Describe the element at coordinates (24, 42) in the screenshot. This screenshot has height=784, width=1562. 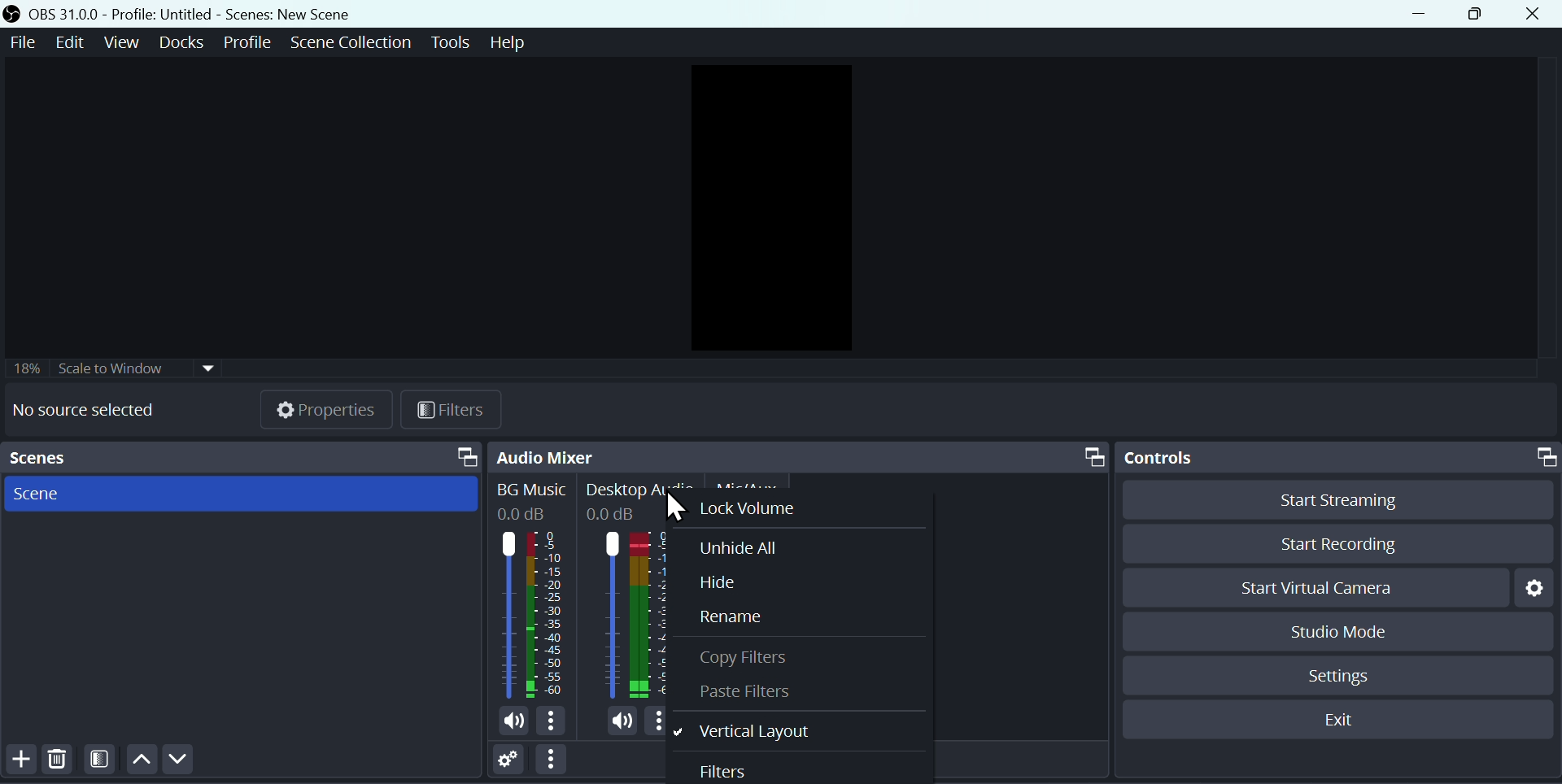
I see `File` at that location.